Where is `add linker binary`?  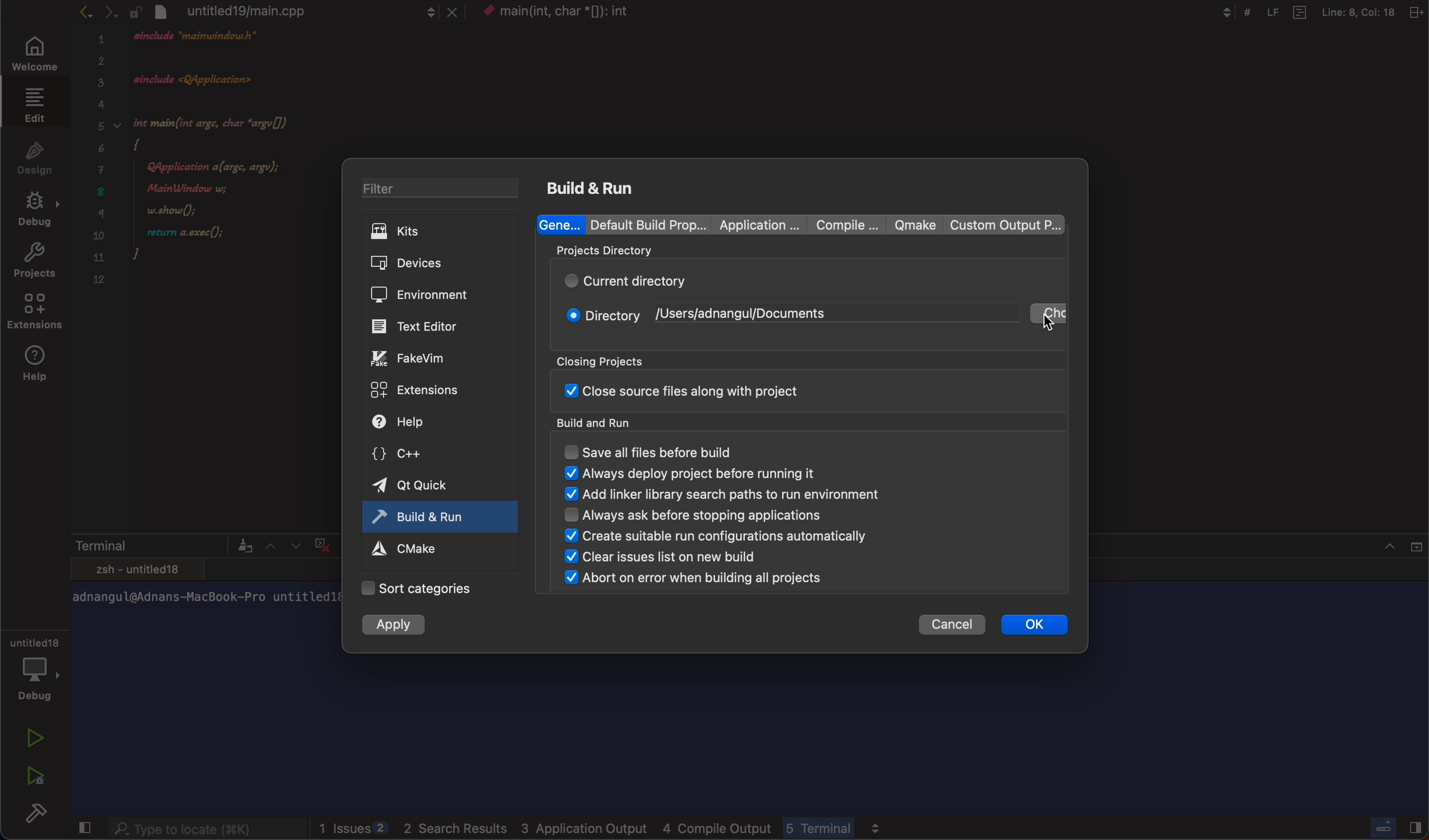 add linker binary is located at coordinates (717, 496).